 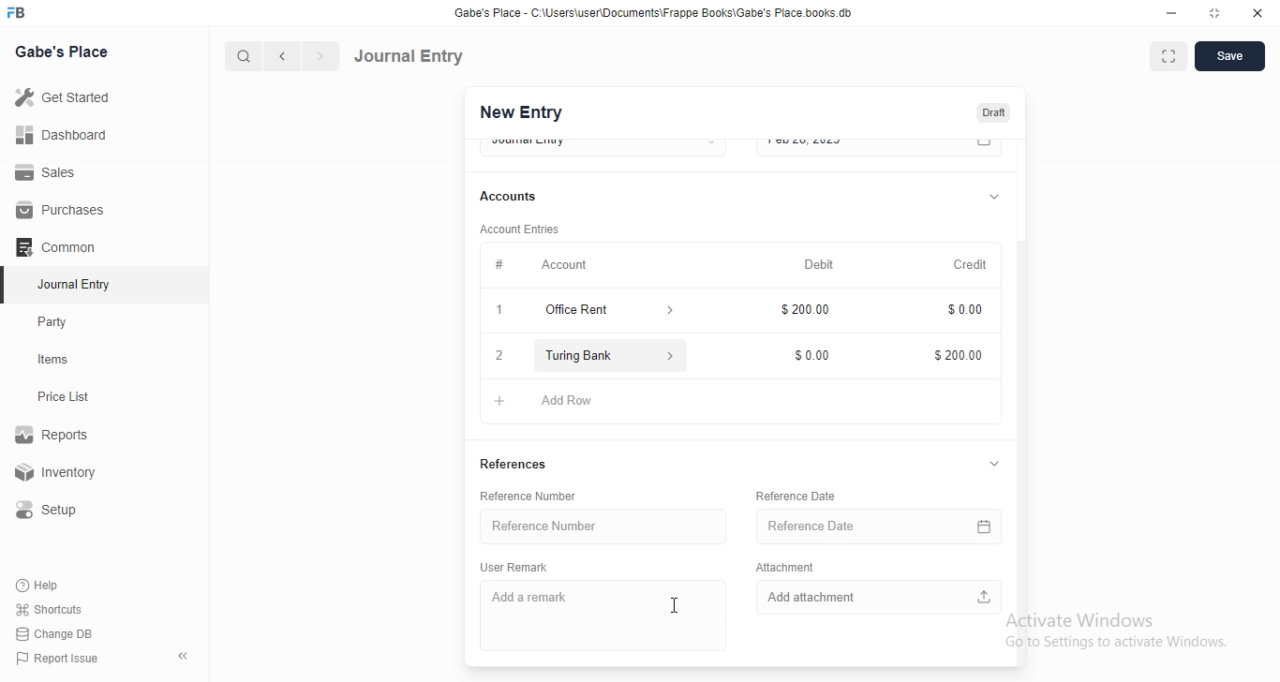 I want to click on Add attachment, so click(x=882, y=599).